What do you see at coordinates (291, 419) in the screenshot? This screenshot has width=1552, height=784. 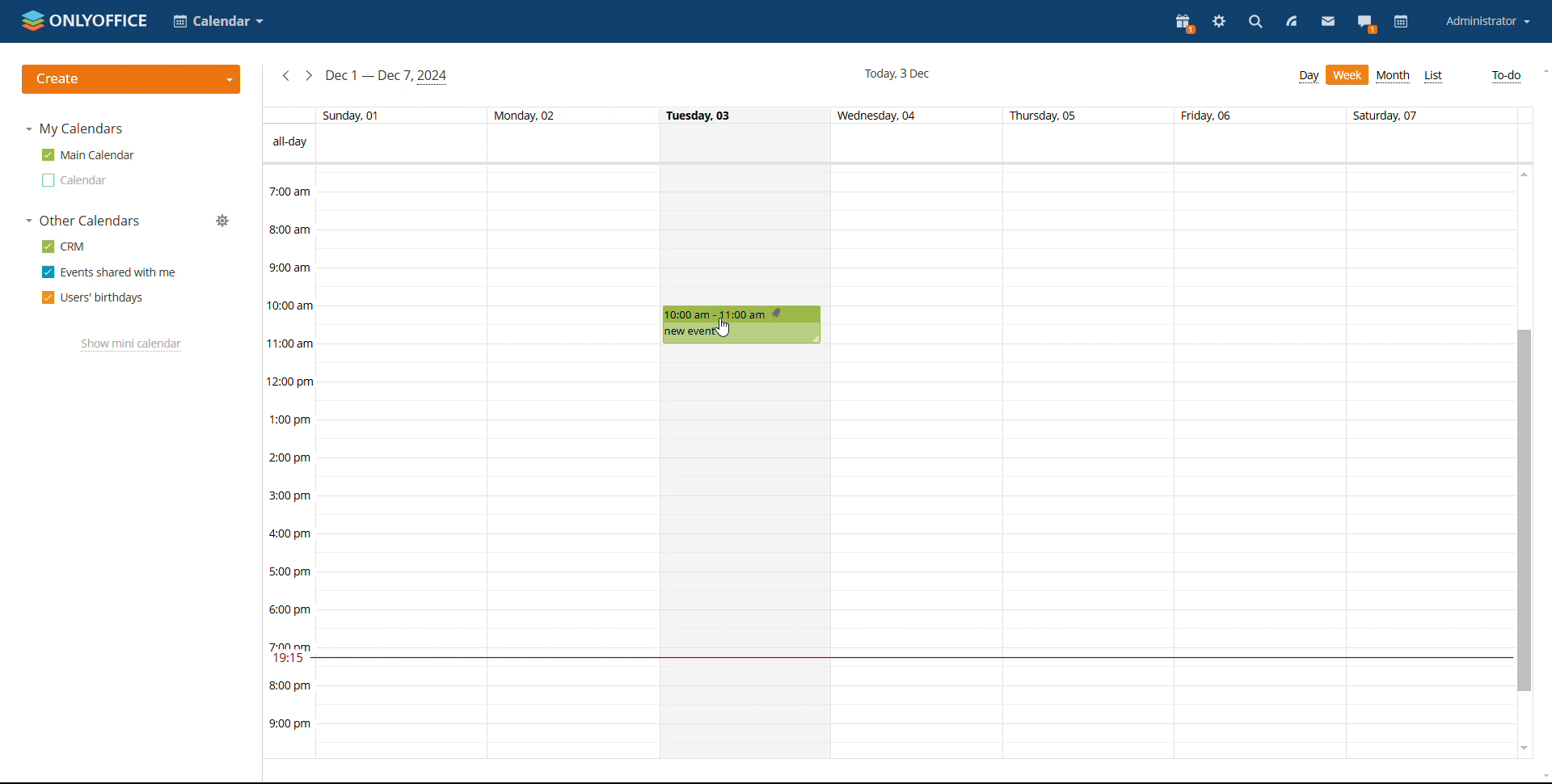 I see `1:00 pm` at bounding box center [291, 419].